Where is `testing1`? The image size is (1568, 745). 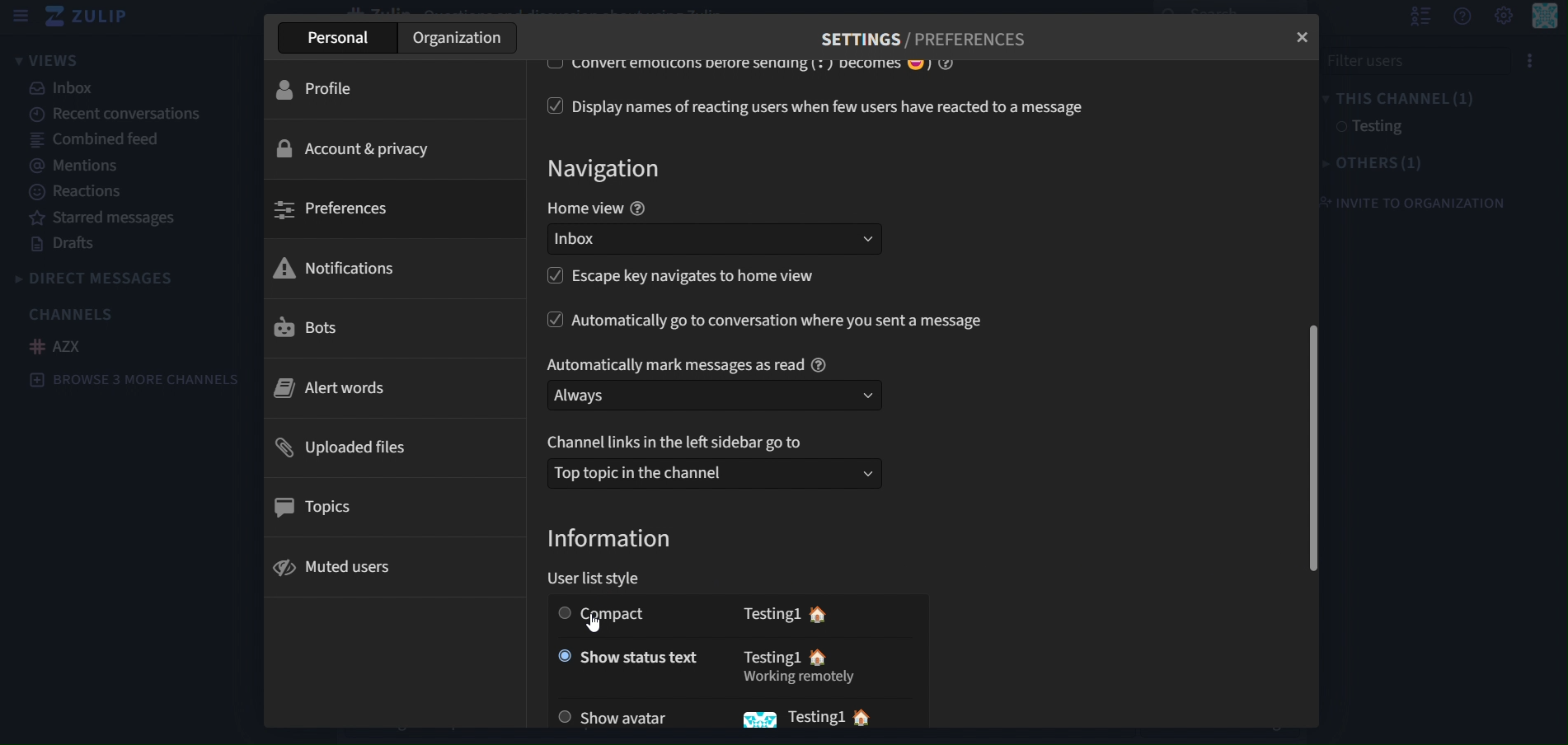 testing1 is located at coordinates (770, 613).